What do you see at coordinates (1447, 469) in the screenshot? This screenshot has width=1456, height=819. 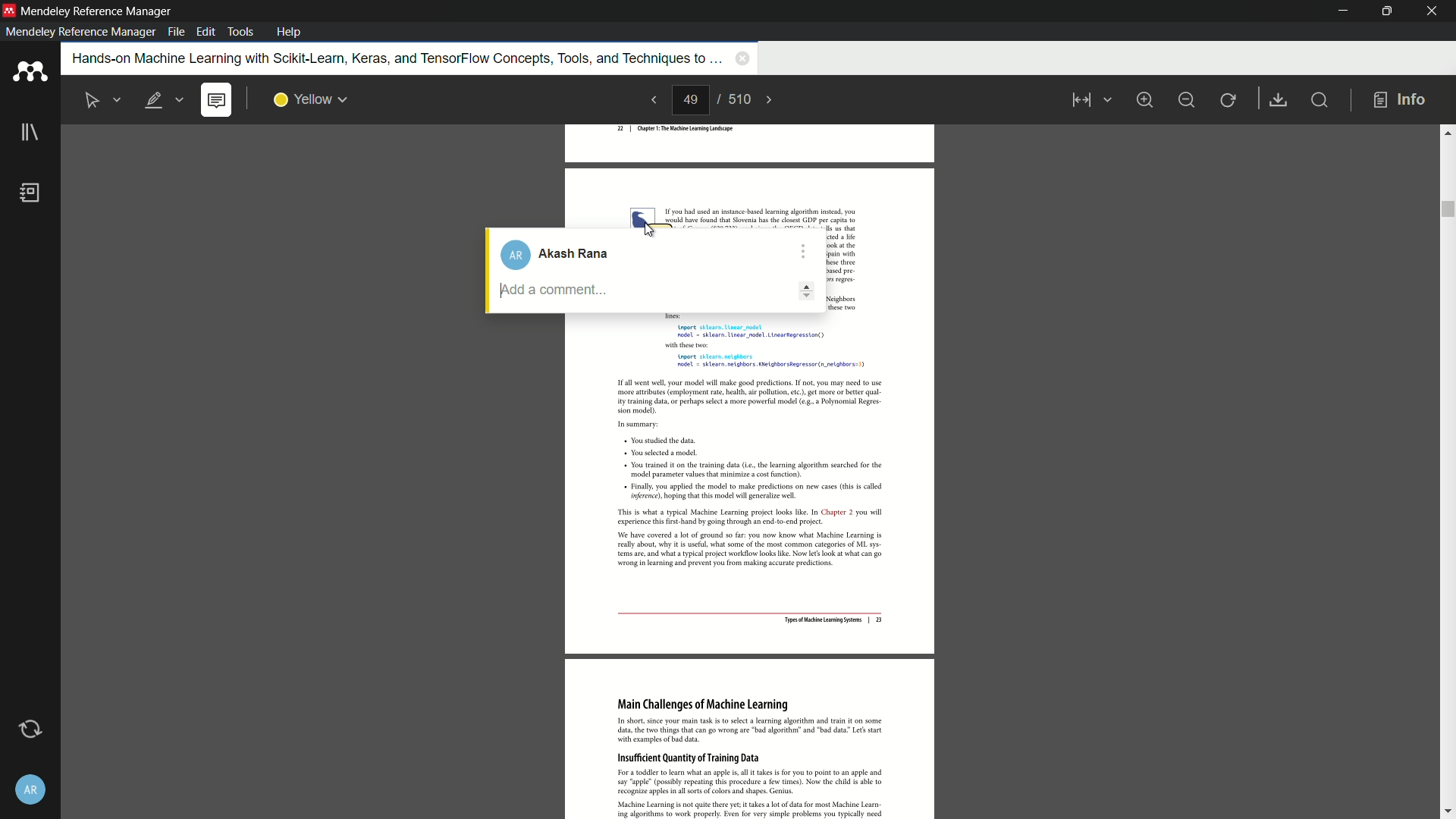 I see `scroll bar` at bounding box center [1447, 469].